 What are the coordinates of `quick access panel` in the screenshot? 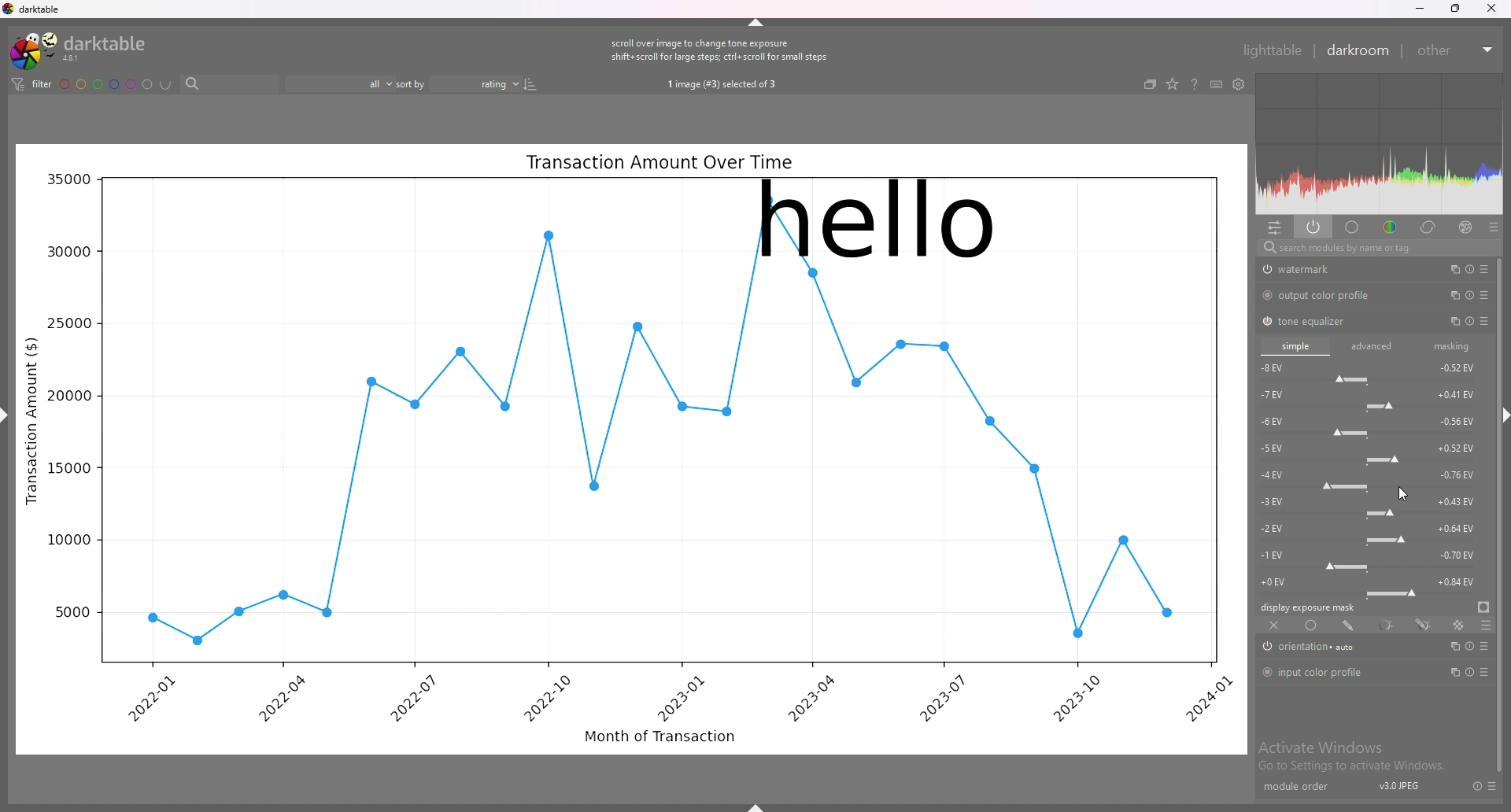 It's located at (1275, 228).